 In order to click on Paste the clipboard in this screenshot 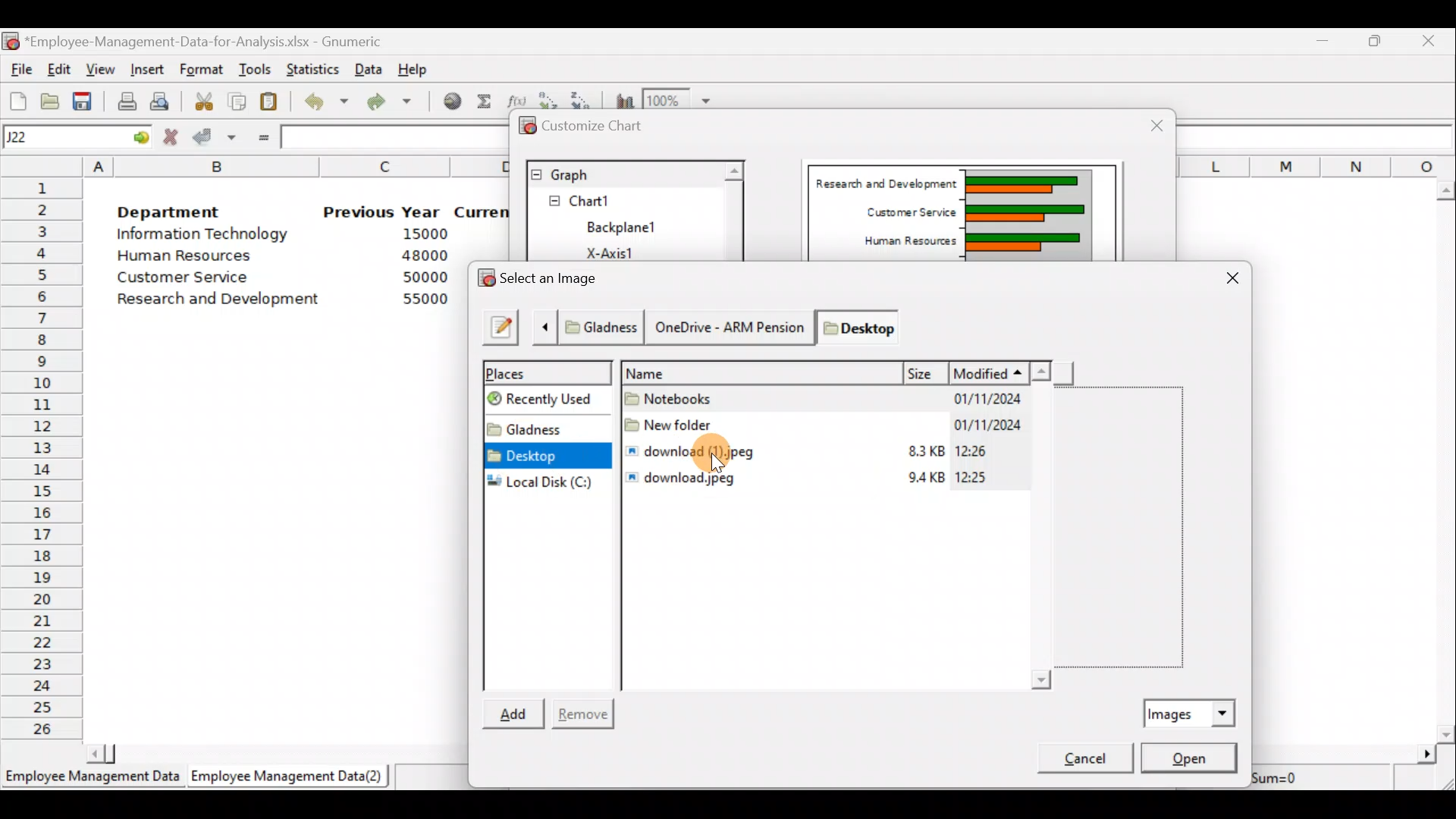, I will do `click(273, 103)`.